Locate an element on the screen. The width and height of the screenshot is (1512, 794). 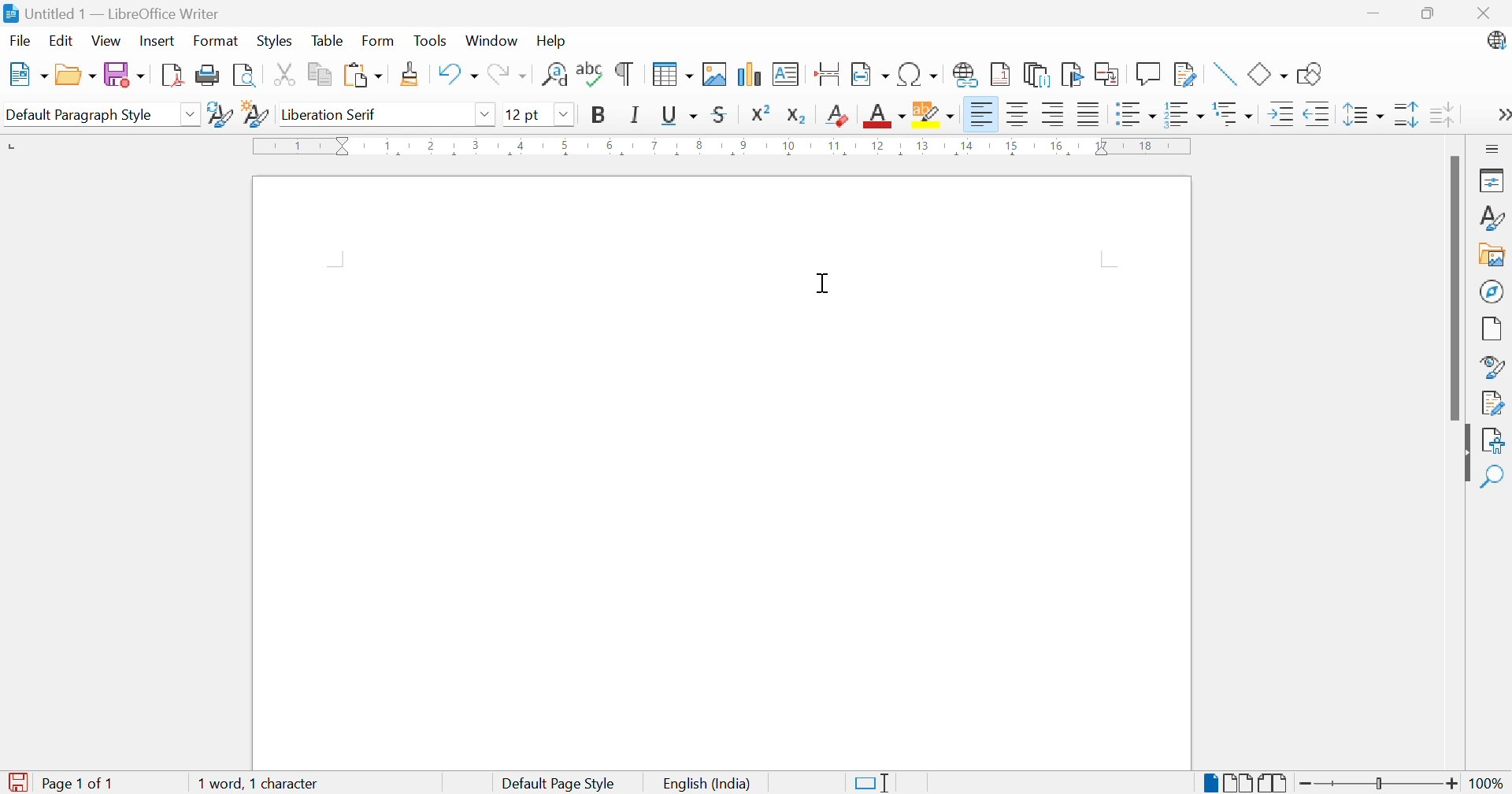
Open is located at coordinates (77, 75).